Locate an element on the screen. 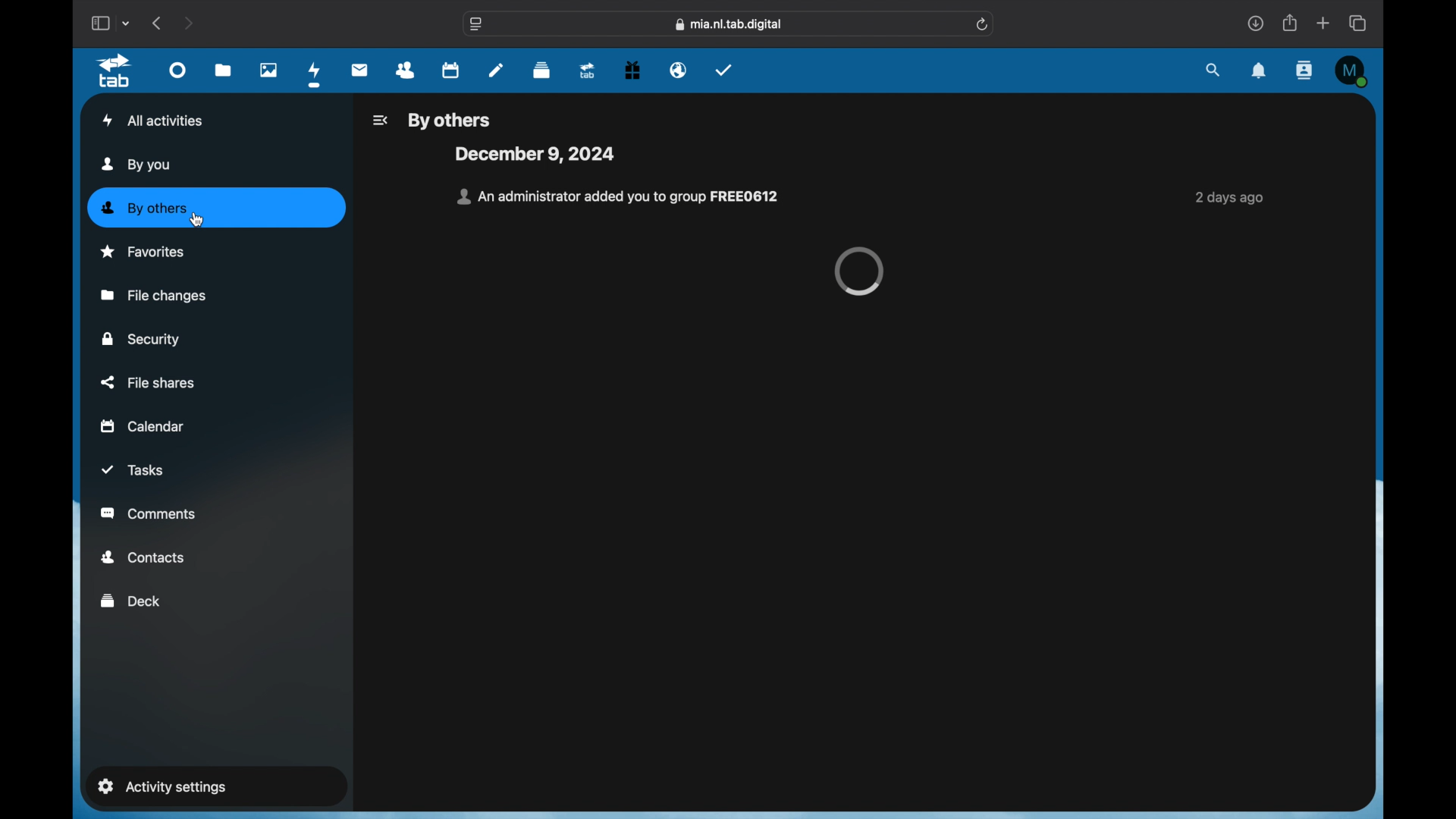  deck is located at coordinates (542, 71).